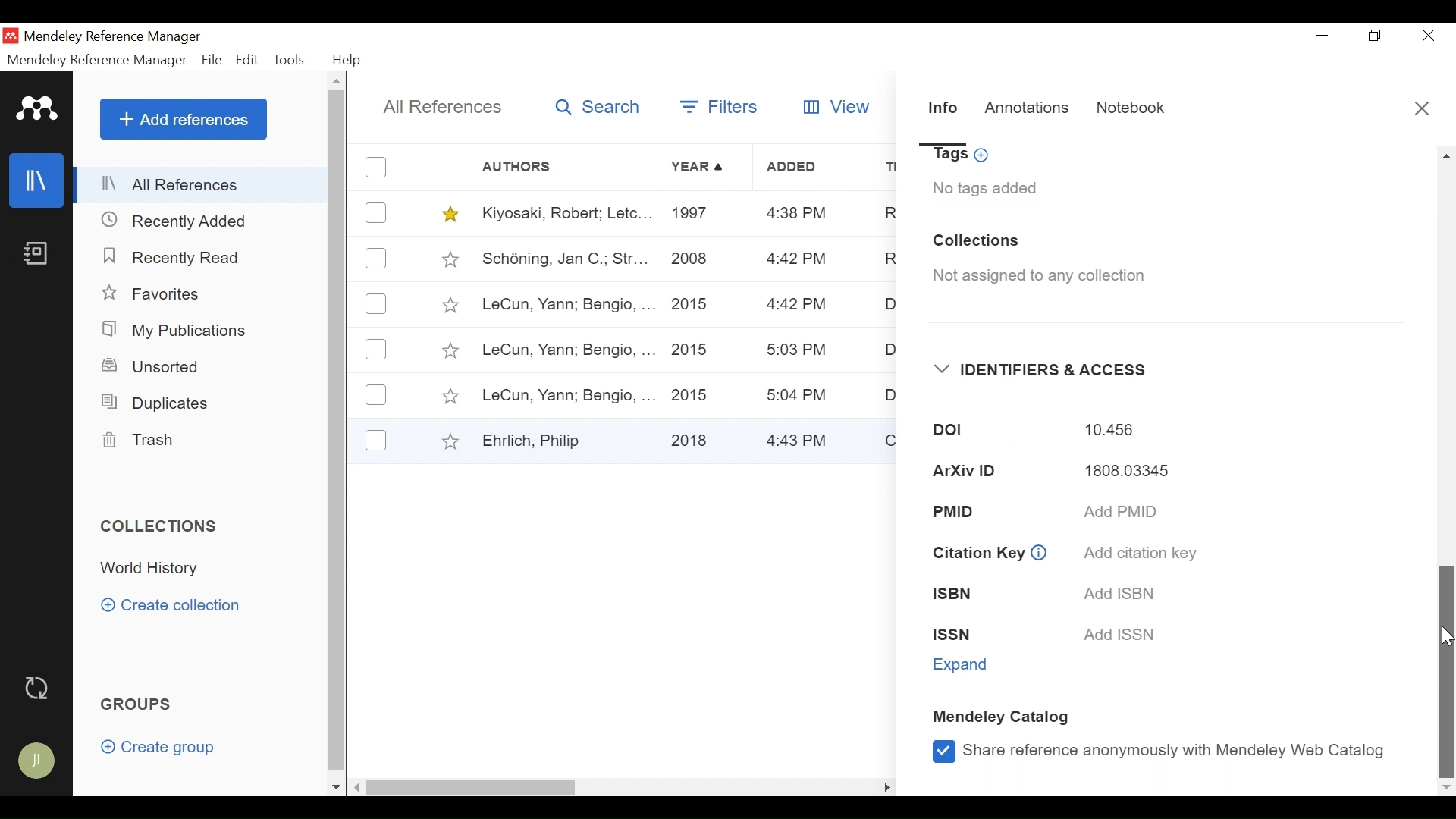  What do you see at coordinates (693, 350) in the screenshot?
I see `2015` at bounding box center [693, 350].